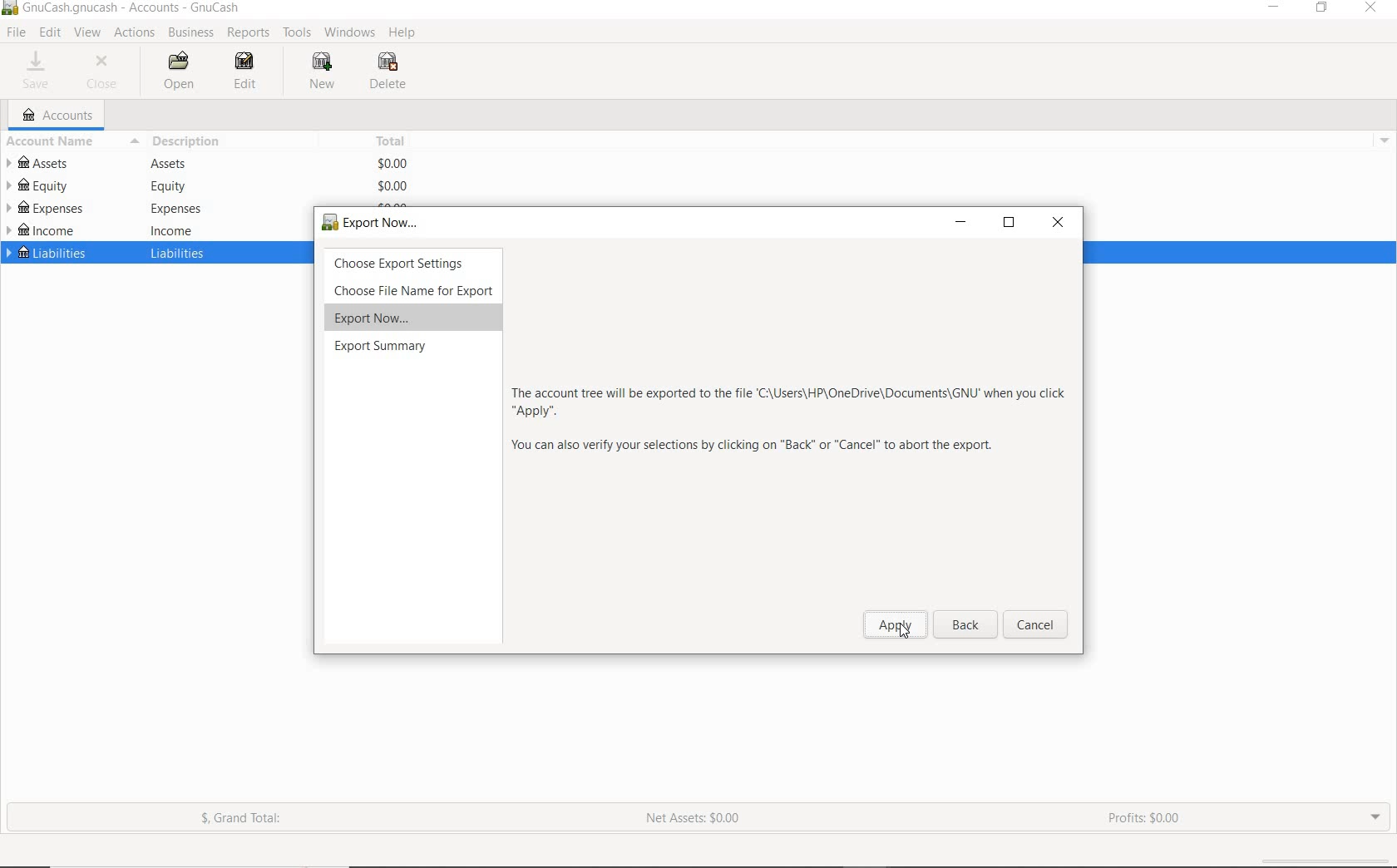 This screenshot has height=868, width=1397. Describe the element at coordinates (420, 220) in the screenshot. I see `export now` at that location.